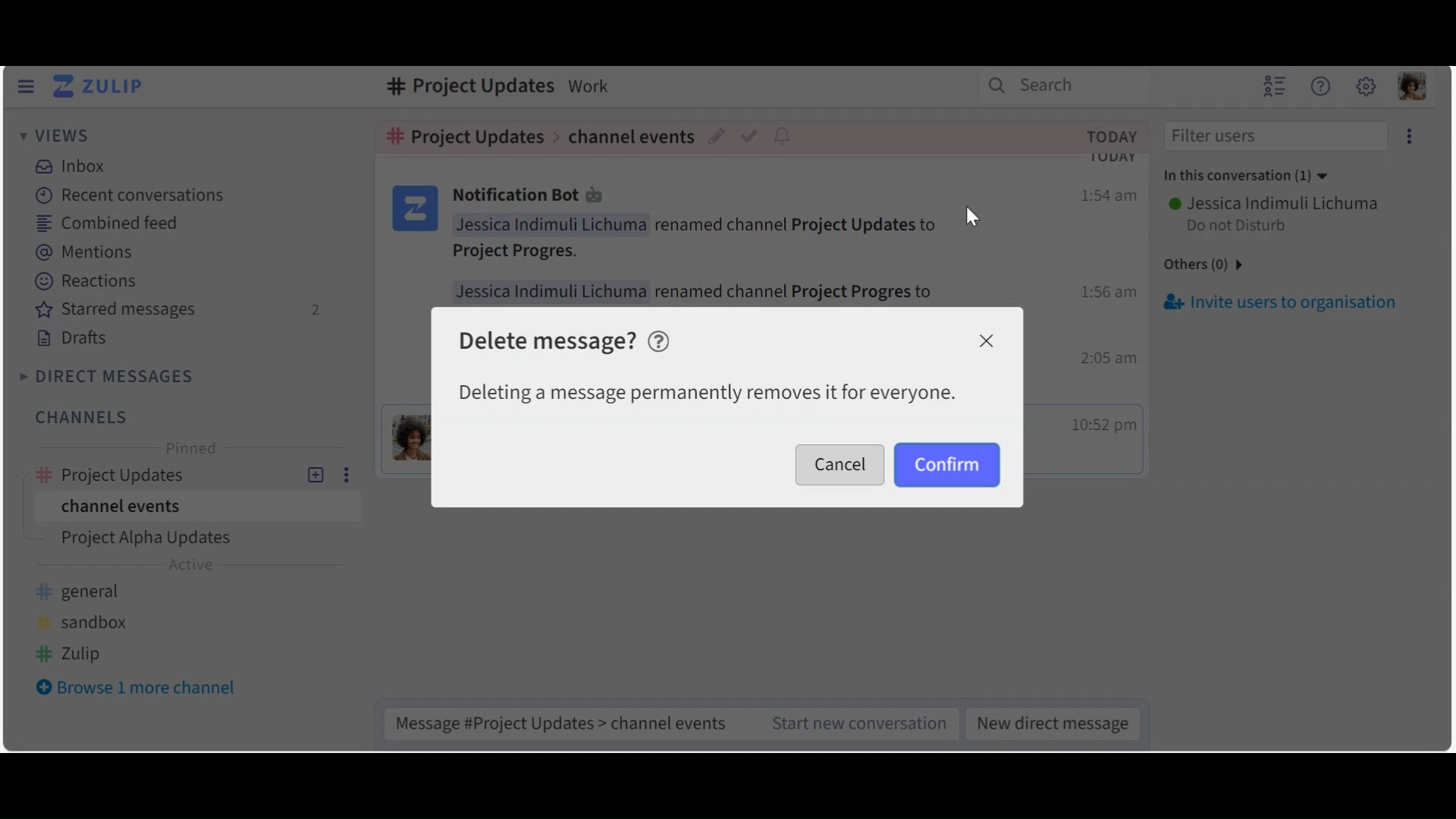 This screenshot has height=819, width=1456. Describe the element at coordinates (1055, 723) in the screenshot. I see `New direct message` at that location.